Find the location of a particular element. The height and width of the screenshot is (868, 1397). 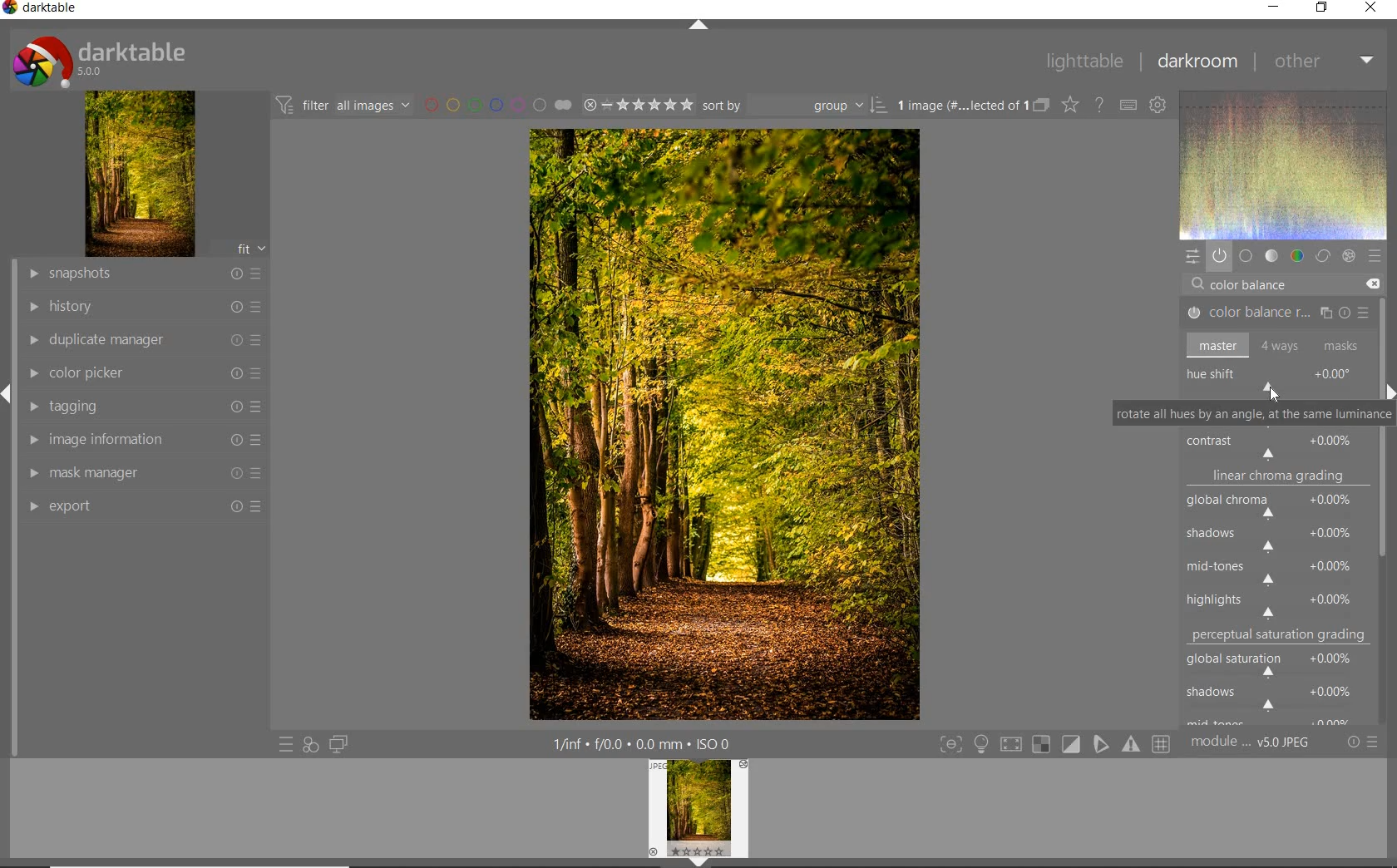

system logo or name is located at coordinates (106, 60).